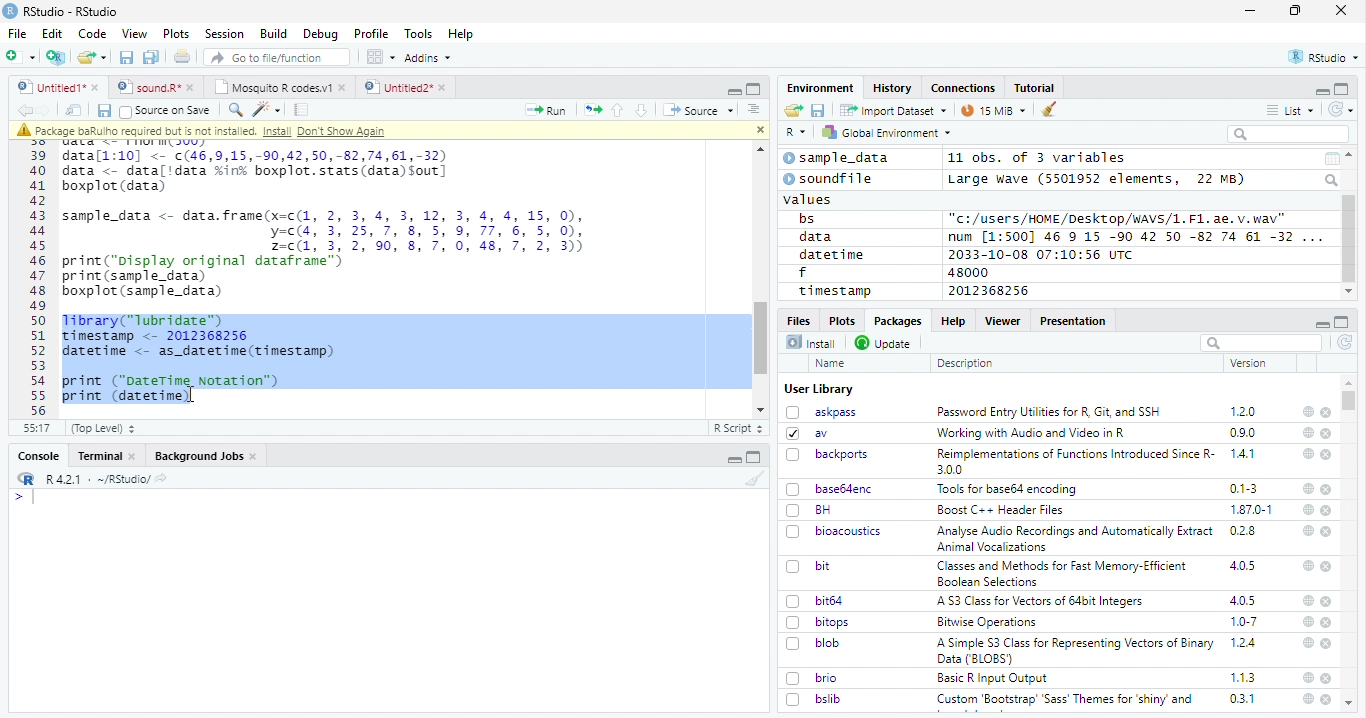 Image resolution: width=1366 pixels, height=718 pixels. What do you see at coordinates (279, 87) in the screenshot?
I see `Mosquito R codes.v1` at bounding box center [279, 87].